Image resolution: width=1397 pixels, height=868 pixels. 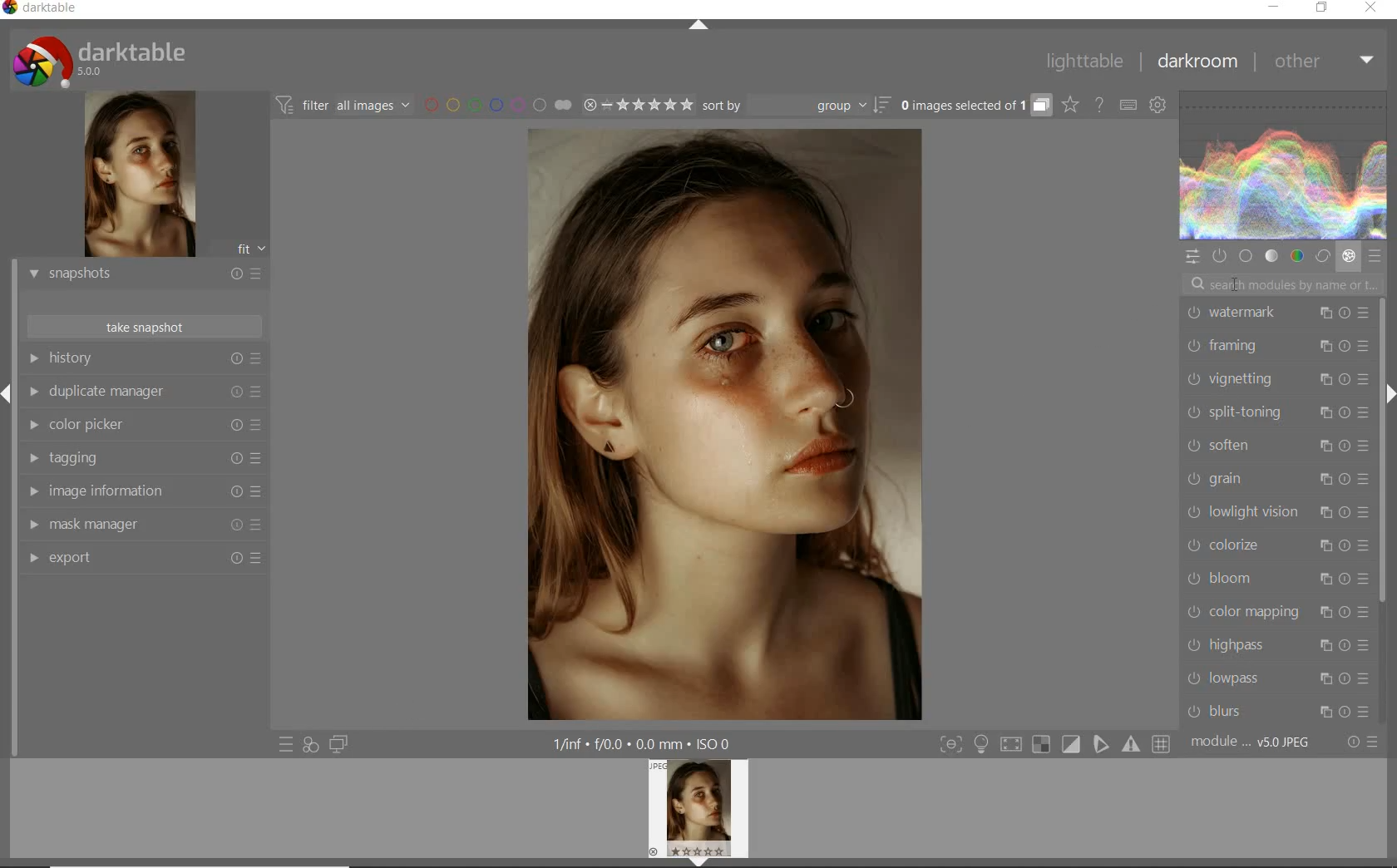 I want to click on darkroom, so click(x=1198, y=64).